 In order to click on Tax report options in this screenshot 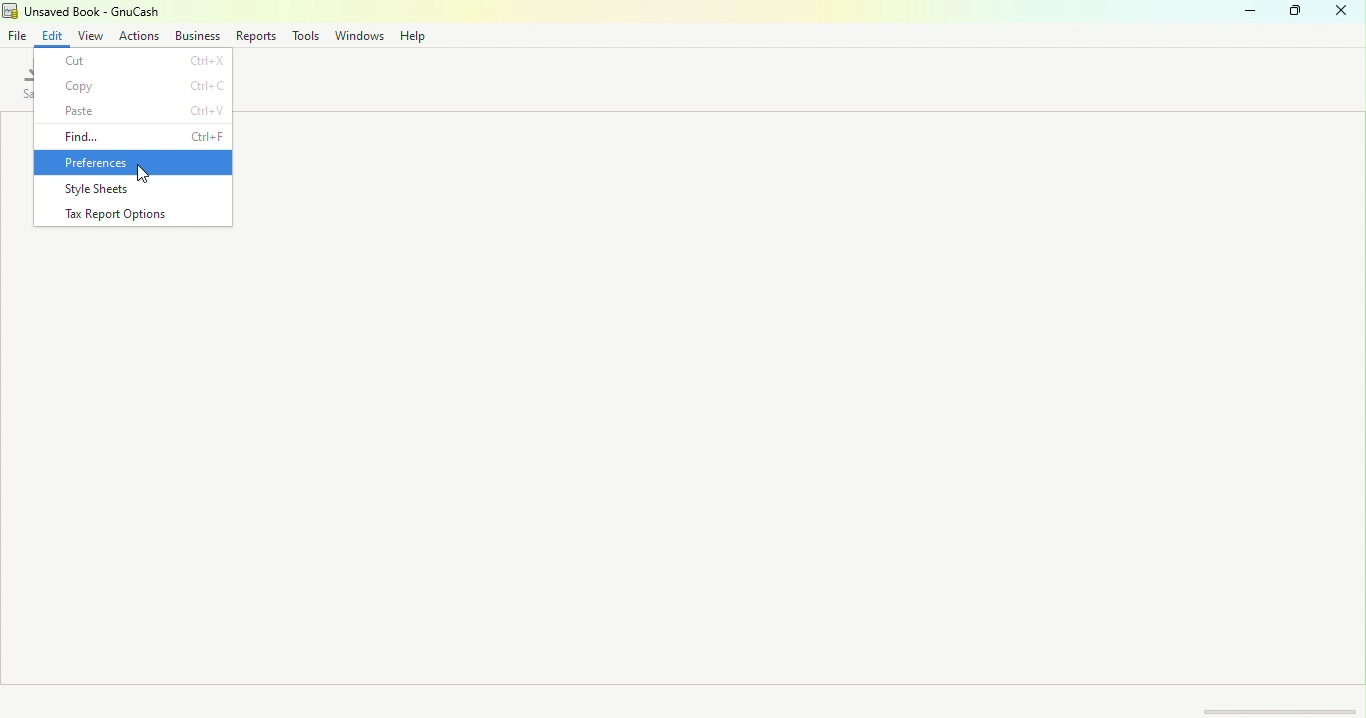, I will do `click(135, 212)`.